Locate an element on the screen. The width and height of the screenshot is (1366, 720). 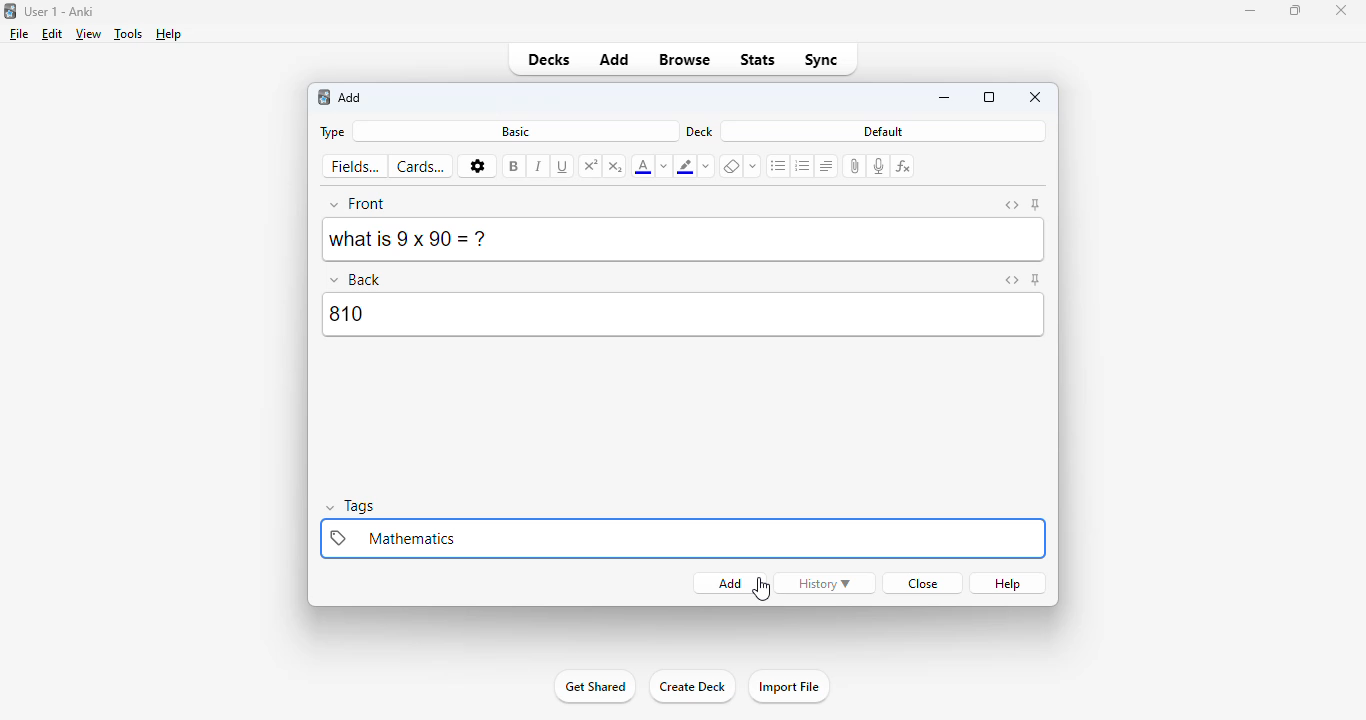
attach pictures/audio/video is located at coordinates (856, 166).